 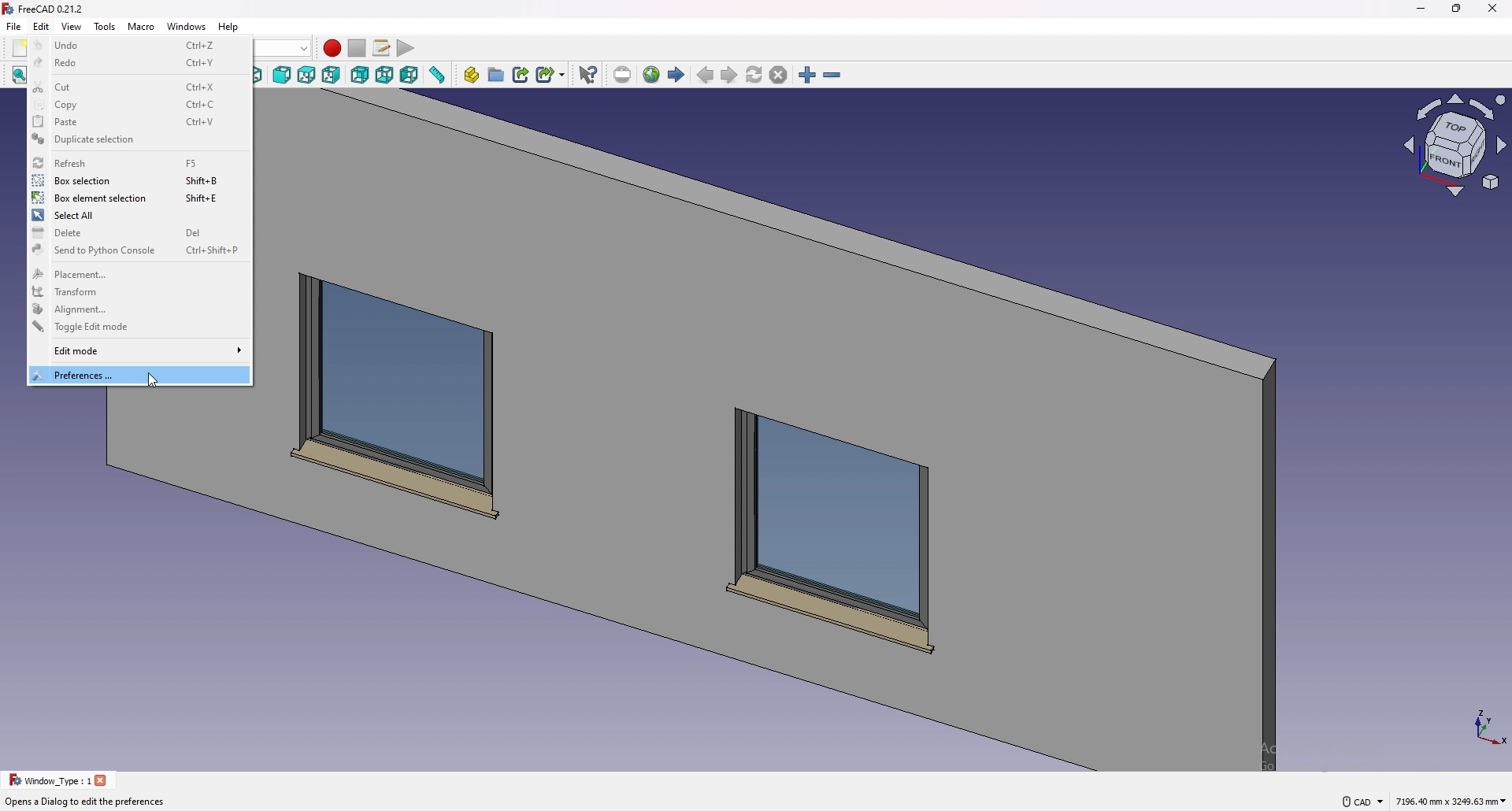 I want to click on view, so click(x=72, y=26).